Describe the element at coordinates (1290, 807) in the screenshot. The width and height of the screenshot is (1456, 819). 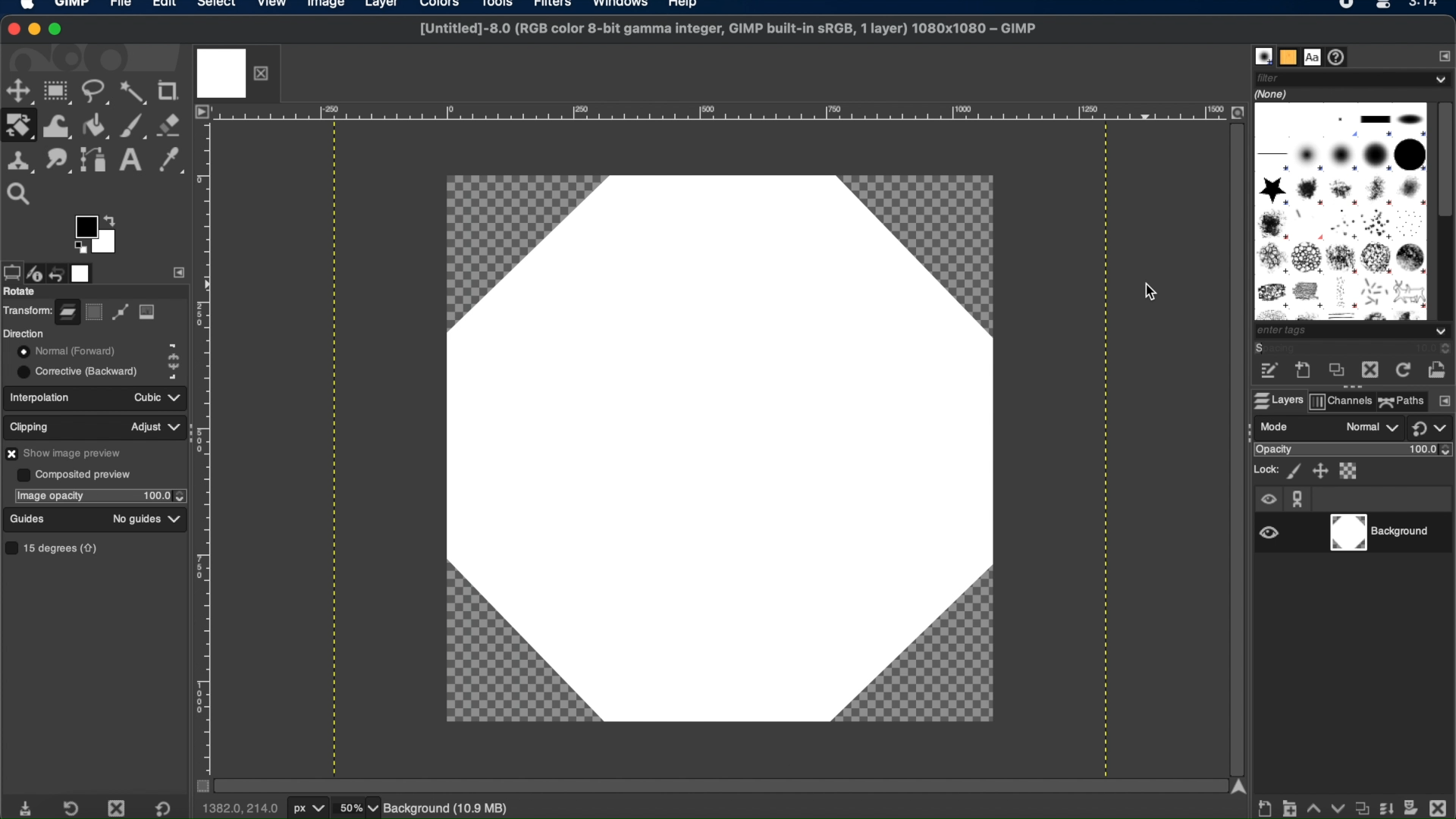
I see `create a new layer group` at that location.